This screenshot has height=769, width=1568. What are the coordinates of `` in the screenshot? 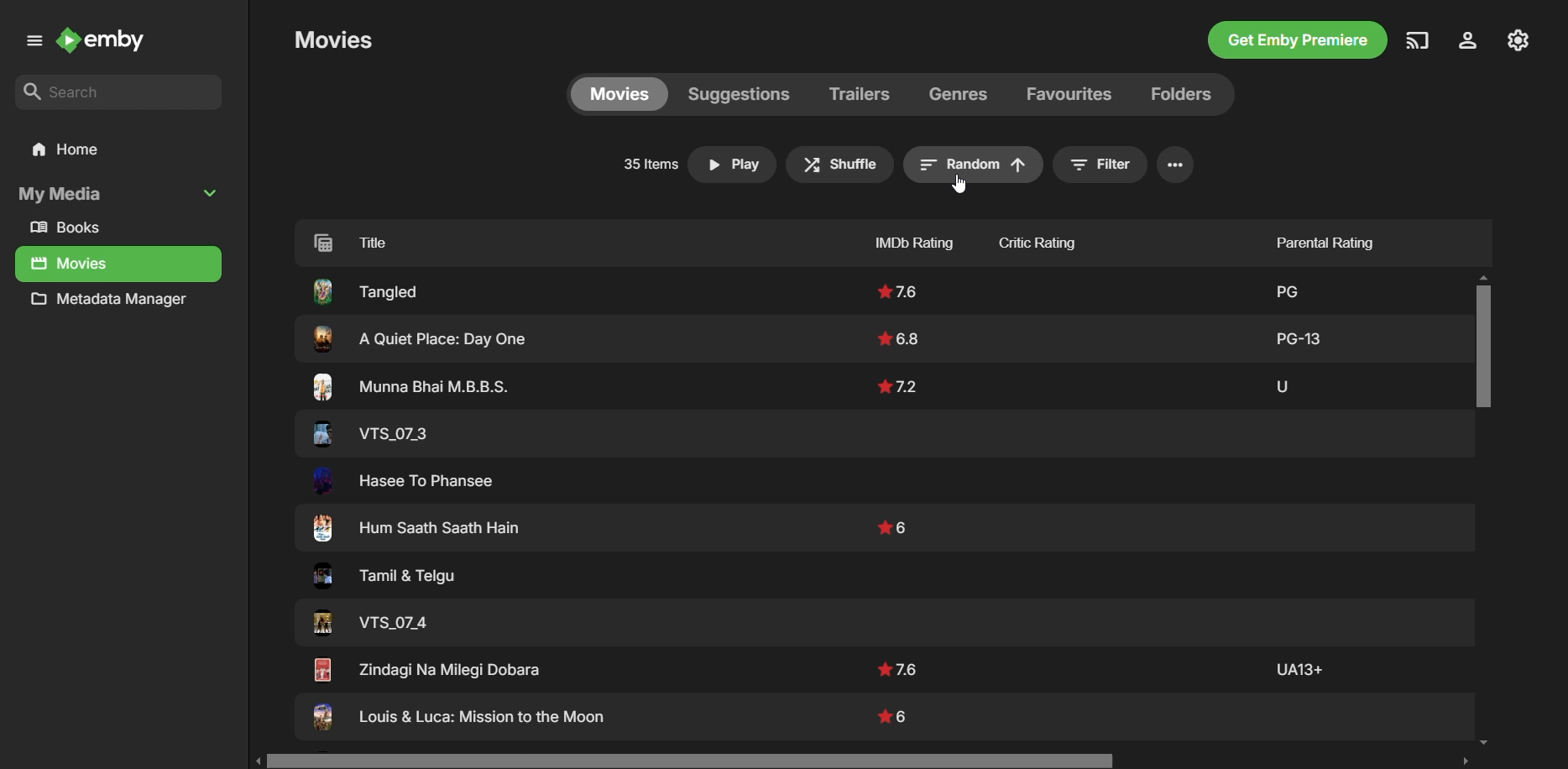 It's located at (894, 528).